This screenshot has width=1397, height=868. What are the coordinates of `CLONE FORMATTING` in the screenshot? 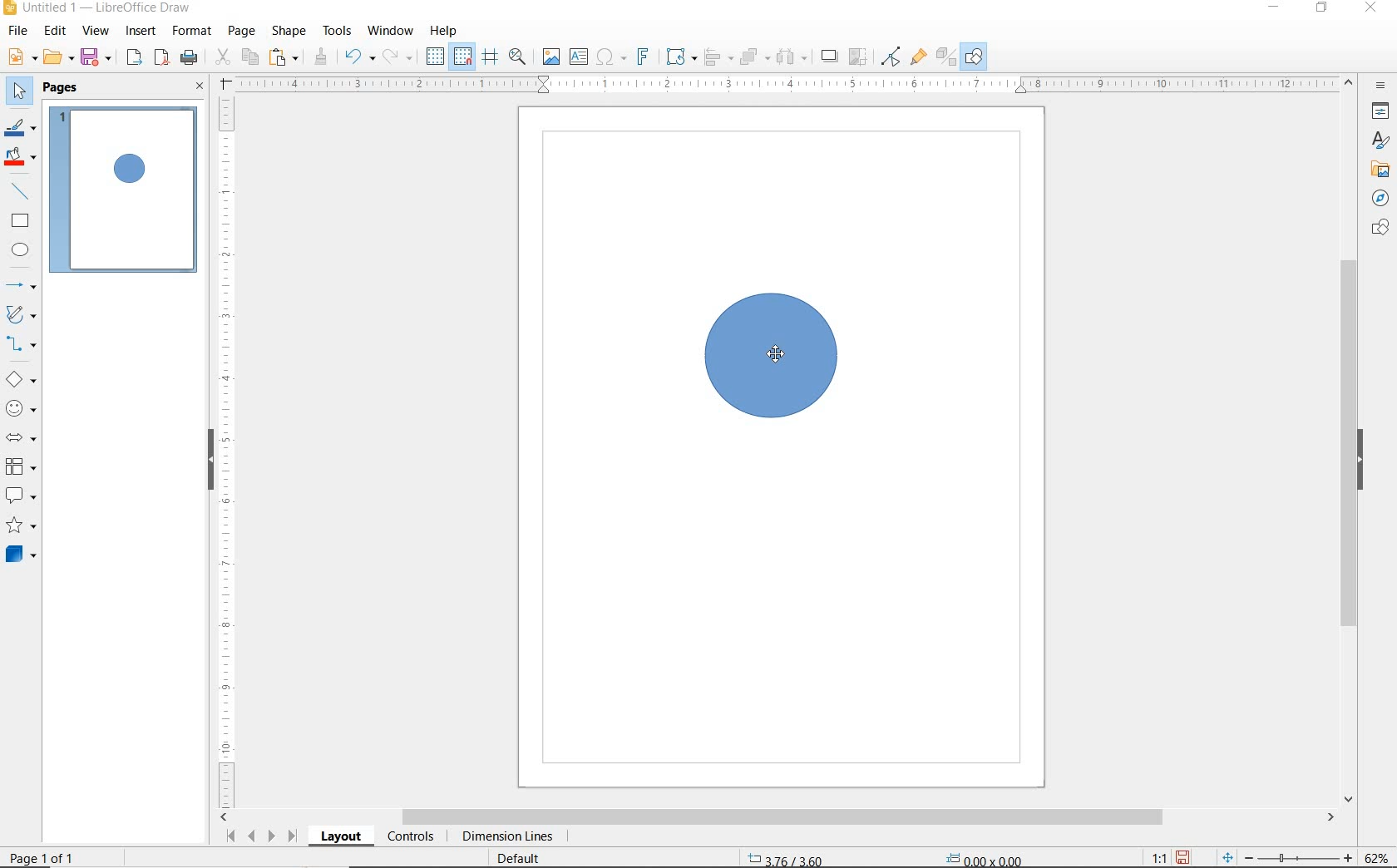 It's located at (323, 57).